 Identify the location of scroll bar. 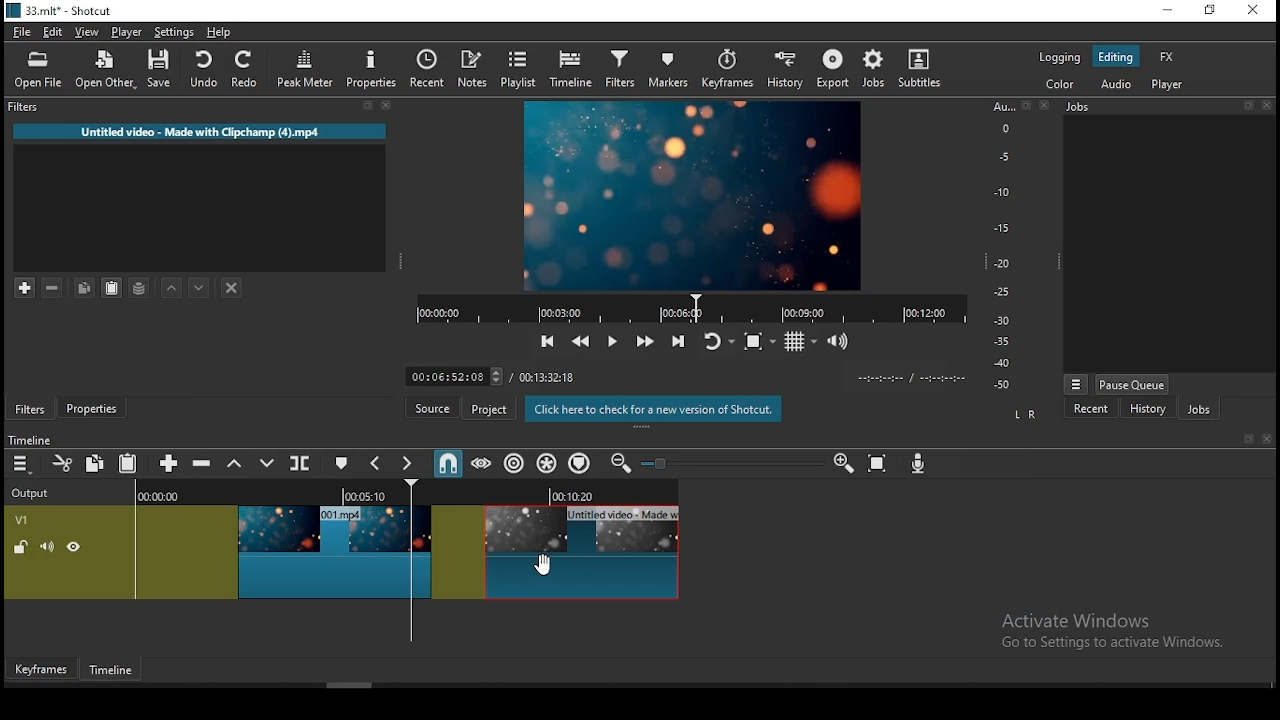
(351, 684).